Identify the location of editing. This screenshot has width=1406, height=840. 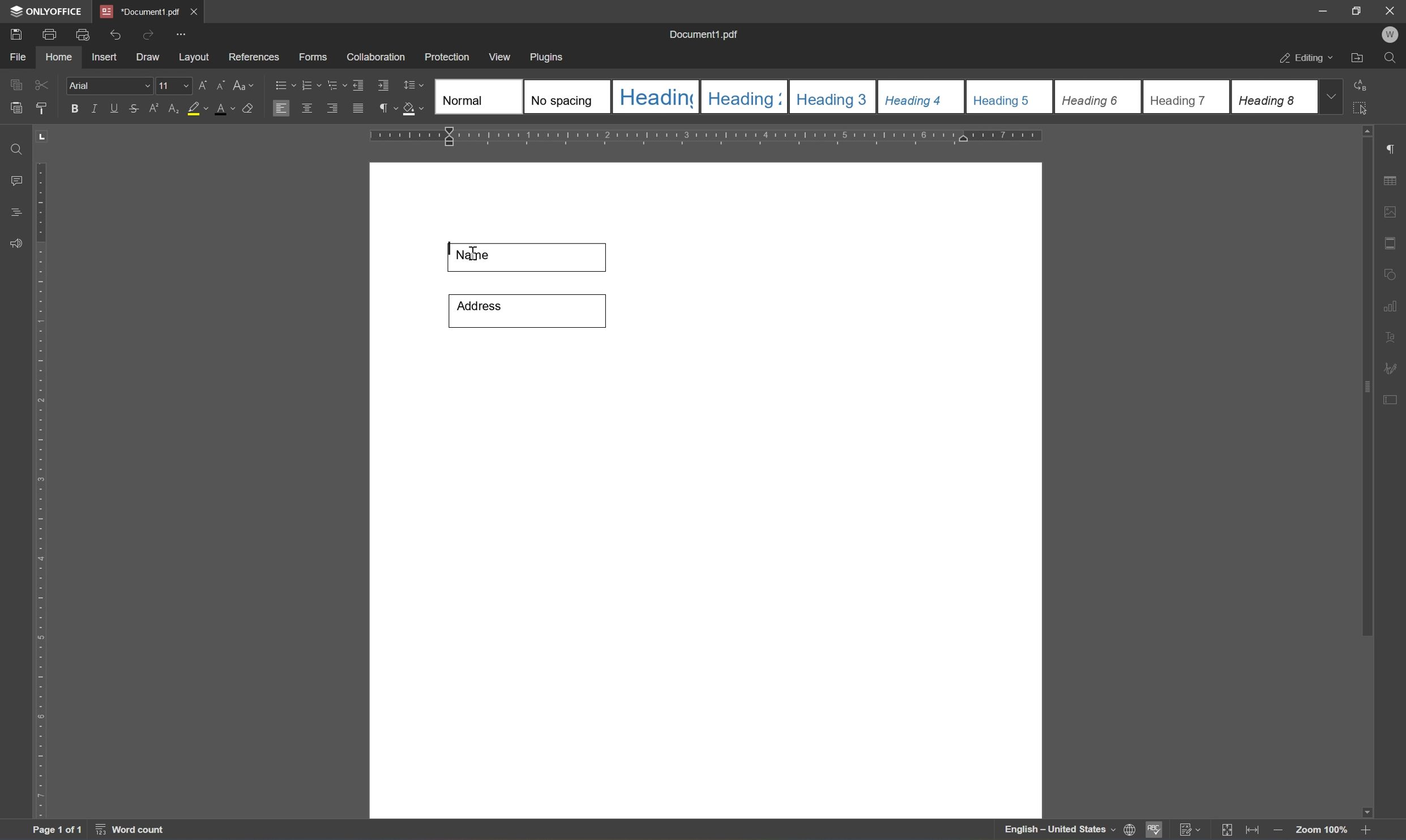
(1302, 59).